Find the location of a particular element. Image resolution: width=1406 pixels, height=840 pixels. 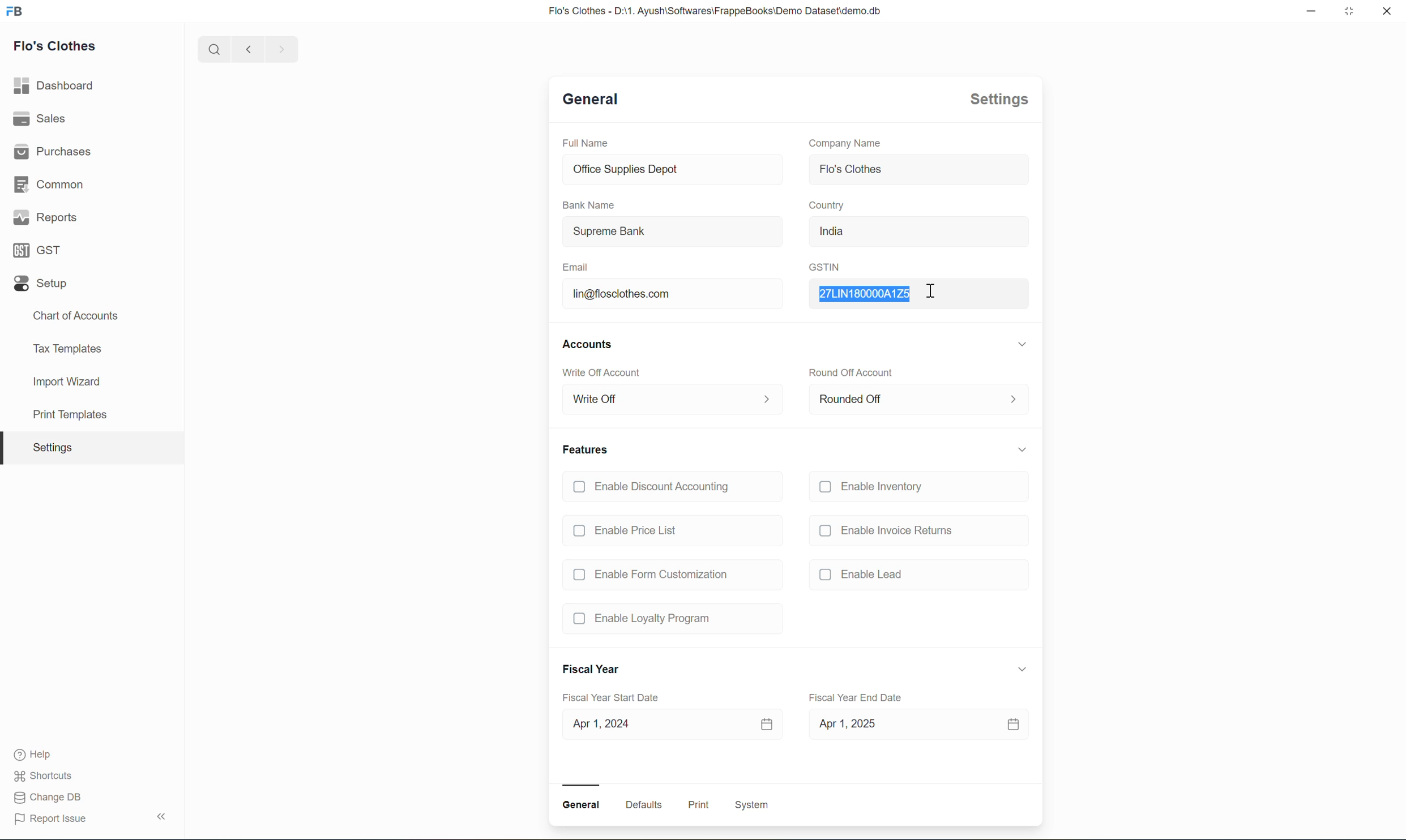

cursor is located at coordinates (931, 292).